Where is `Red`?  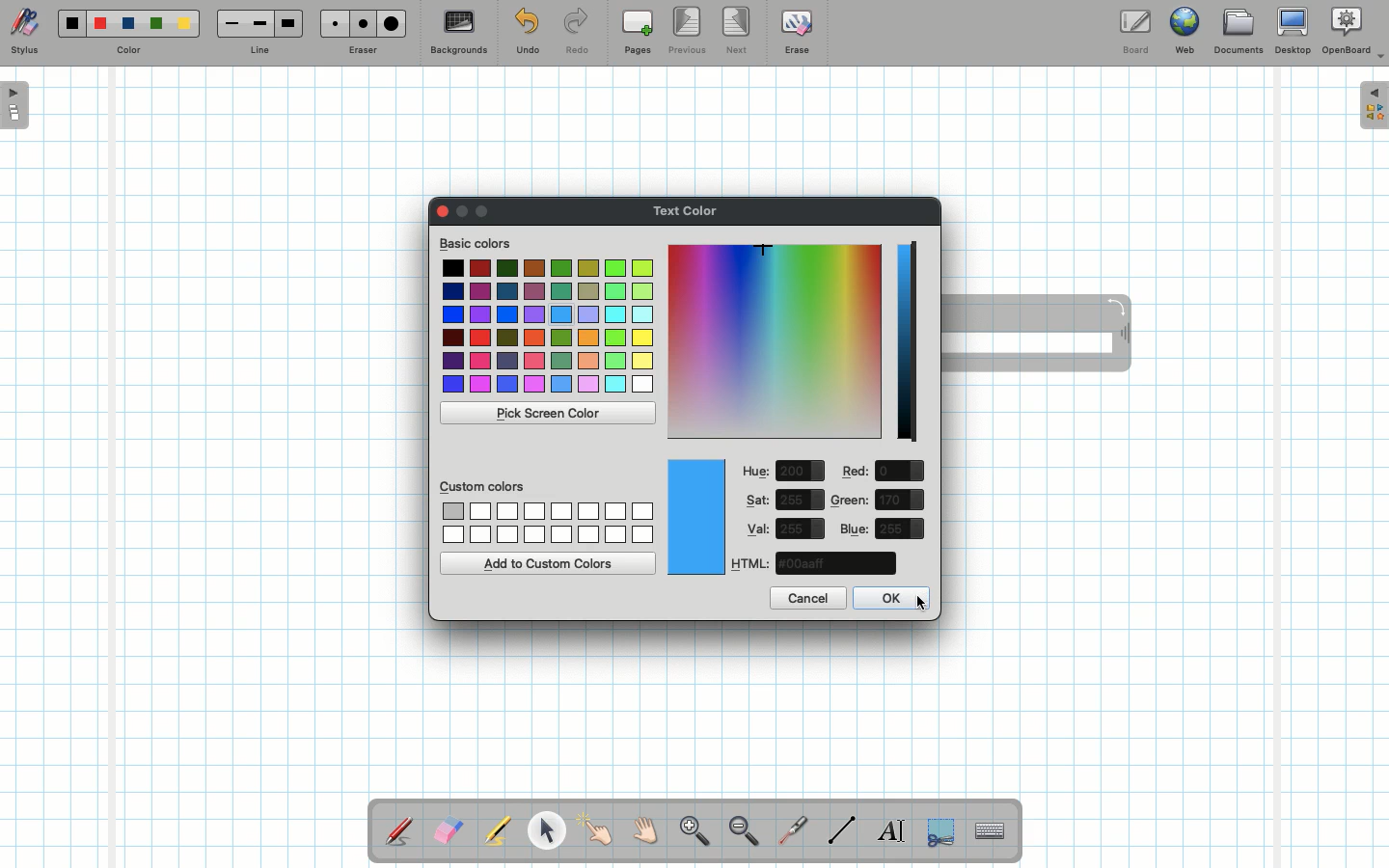 Red is located at coordinates (857, 472).